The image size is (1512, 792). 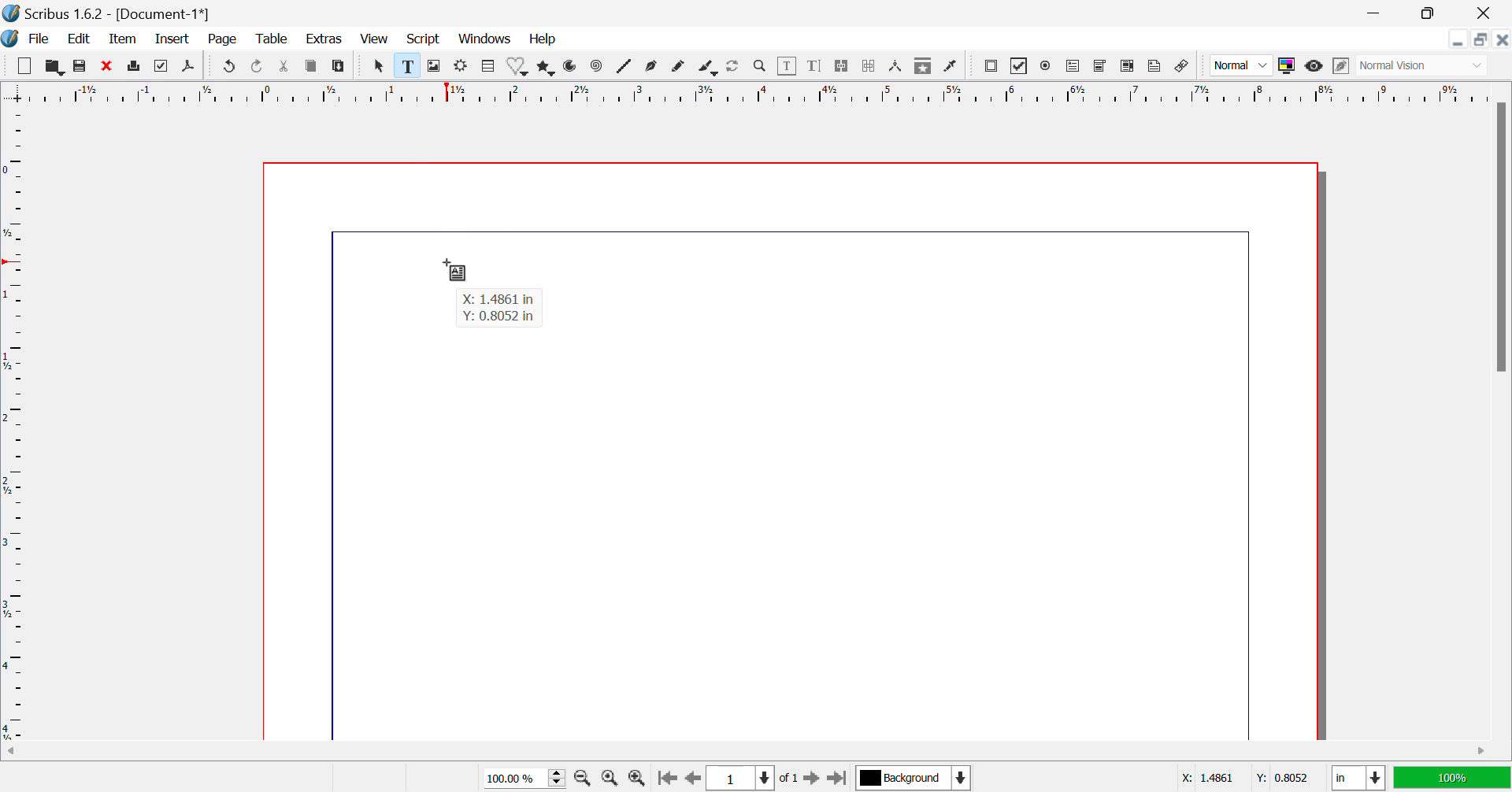 What do you see at coordinates (453, 271) in the screenshot?
I see `Cursor` at bounding box center [453, 271].